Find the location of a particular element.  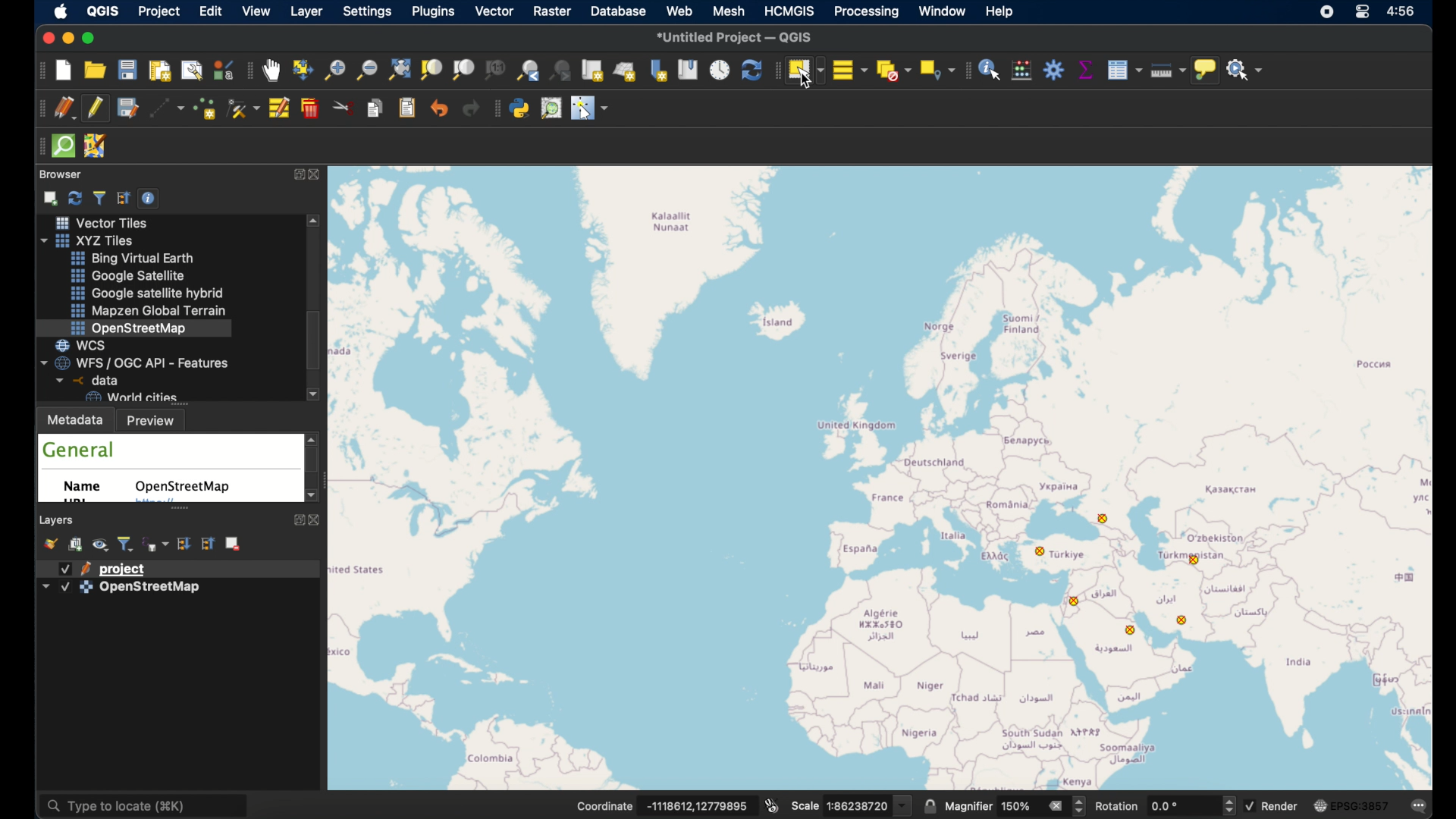

web is located at coordinates (680, 11).